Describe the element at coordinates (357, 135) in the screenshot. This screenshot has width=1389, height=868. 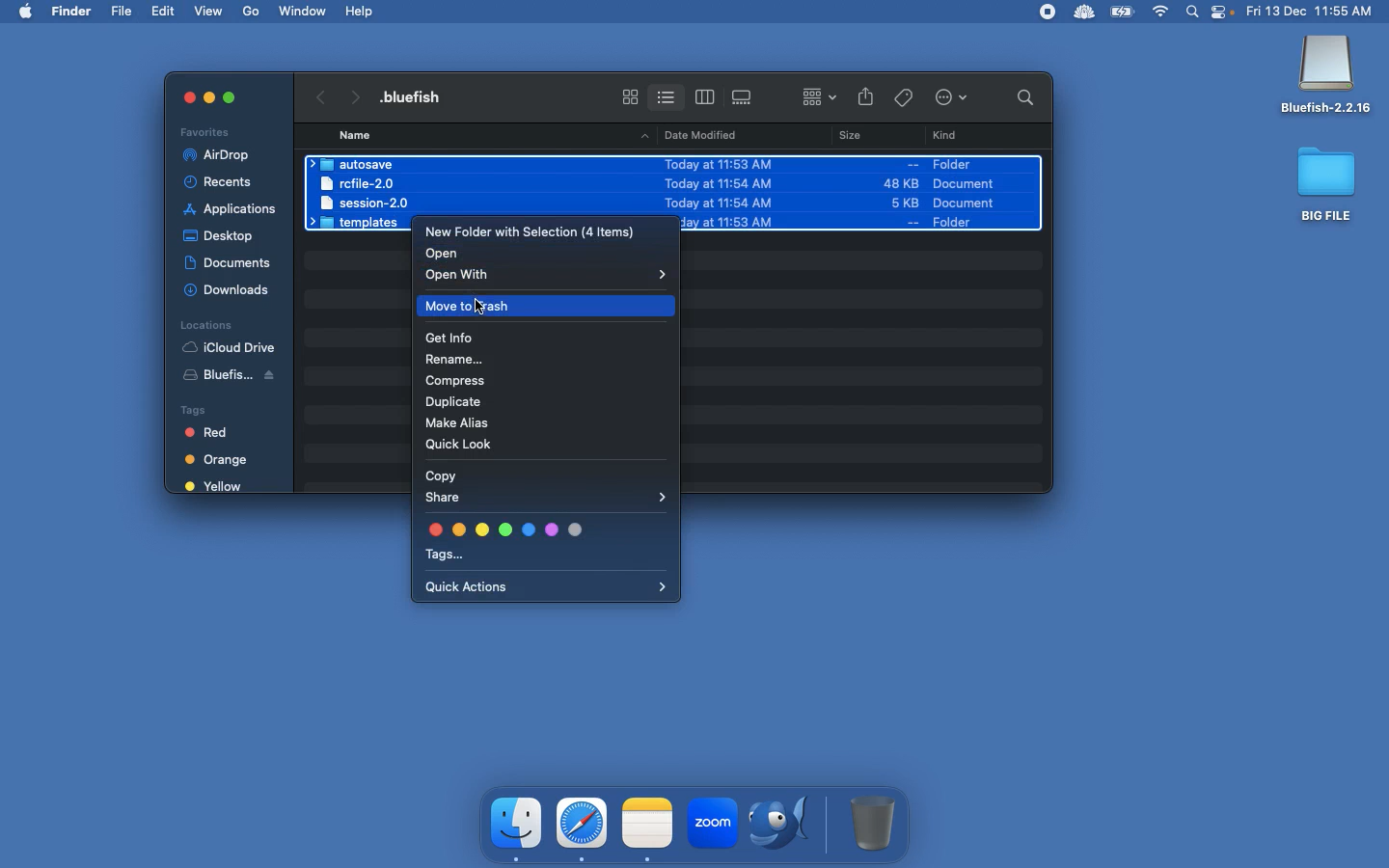
I see `Name` at that location.